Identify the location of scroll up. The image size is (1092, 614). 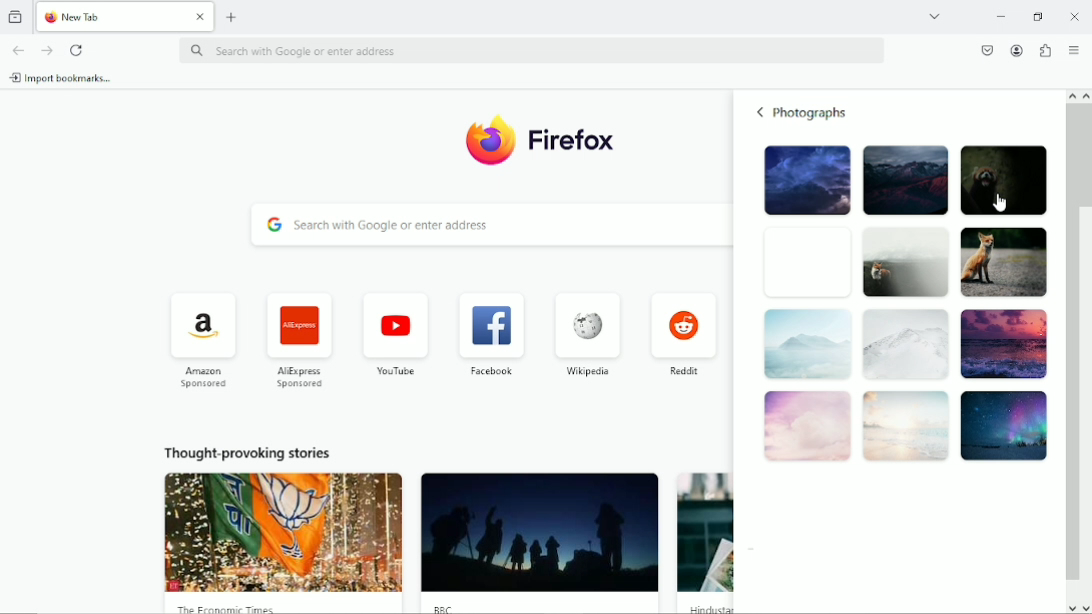
(1085, 95).